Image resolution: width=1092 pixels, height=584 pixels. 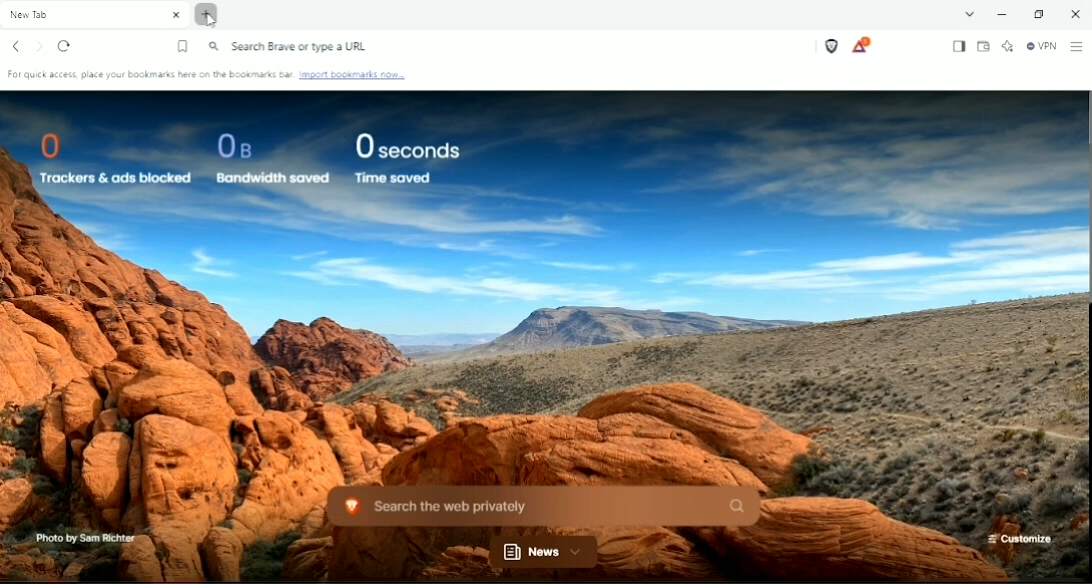 I want to click on Cursor, so click(x=210, y=21).